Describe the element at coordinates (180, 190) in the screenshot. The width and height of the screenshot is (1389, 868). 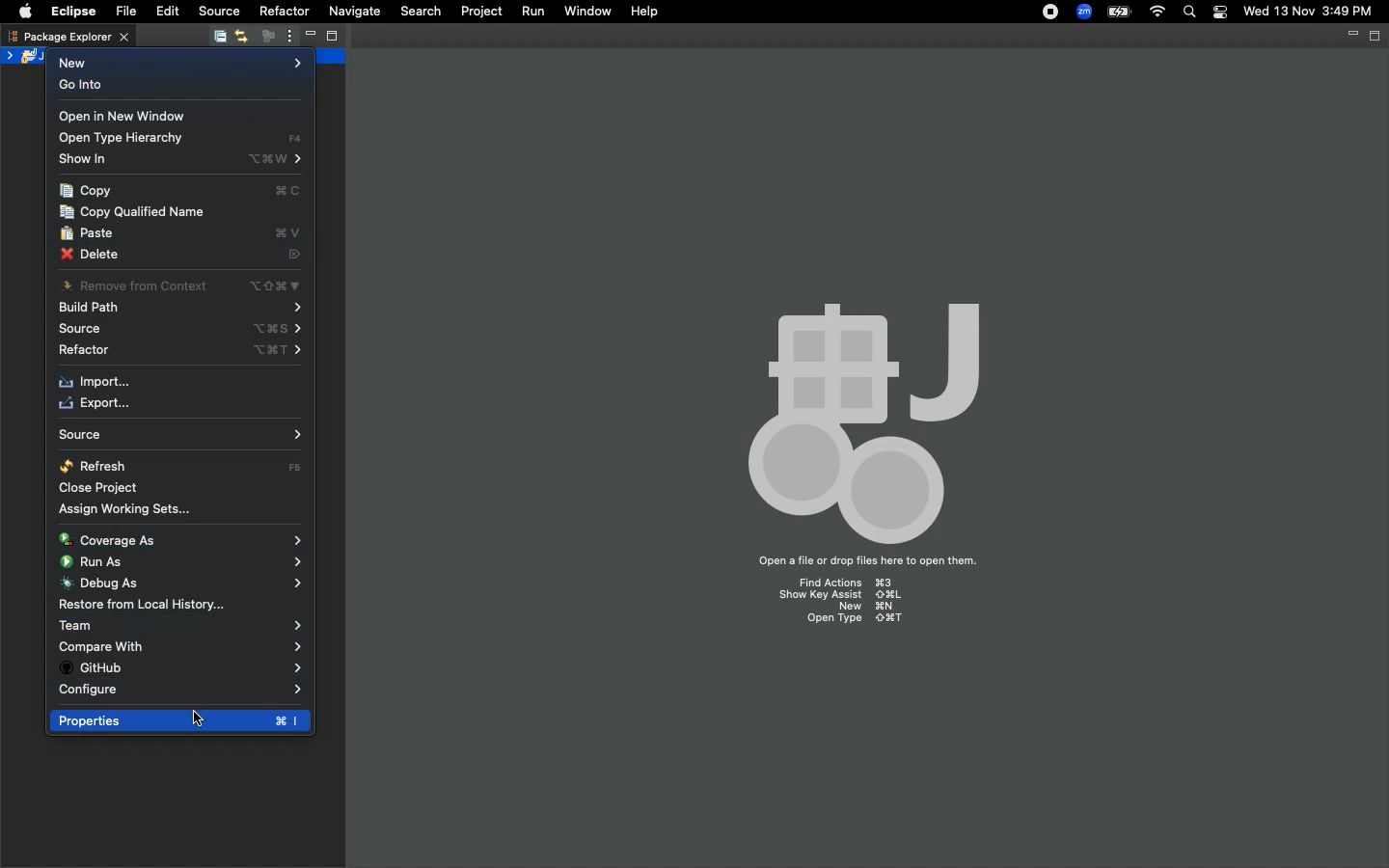
I see `Copy` at that location.